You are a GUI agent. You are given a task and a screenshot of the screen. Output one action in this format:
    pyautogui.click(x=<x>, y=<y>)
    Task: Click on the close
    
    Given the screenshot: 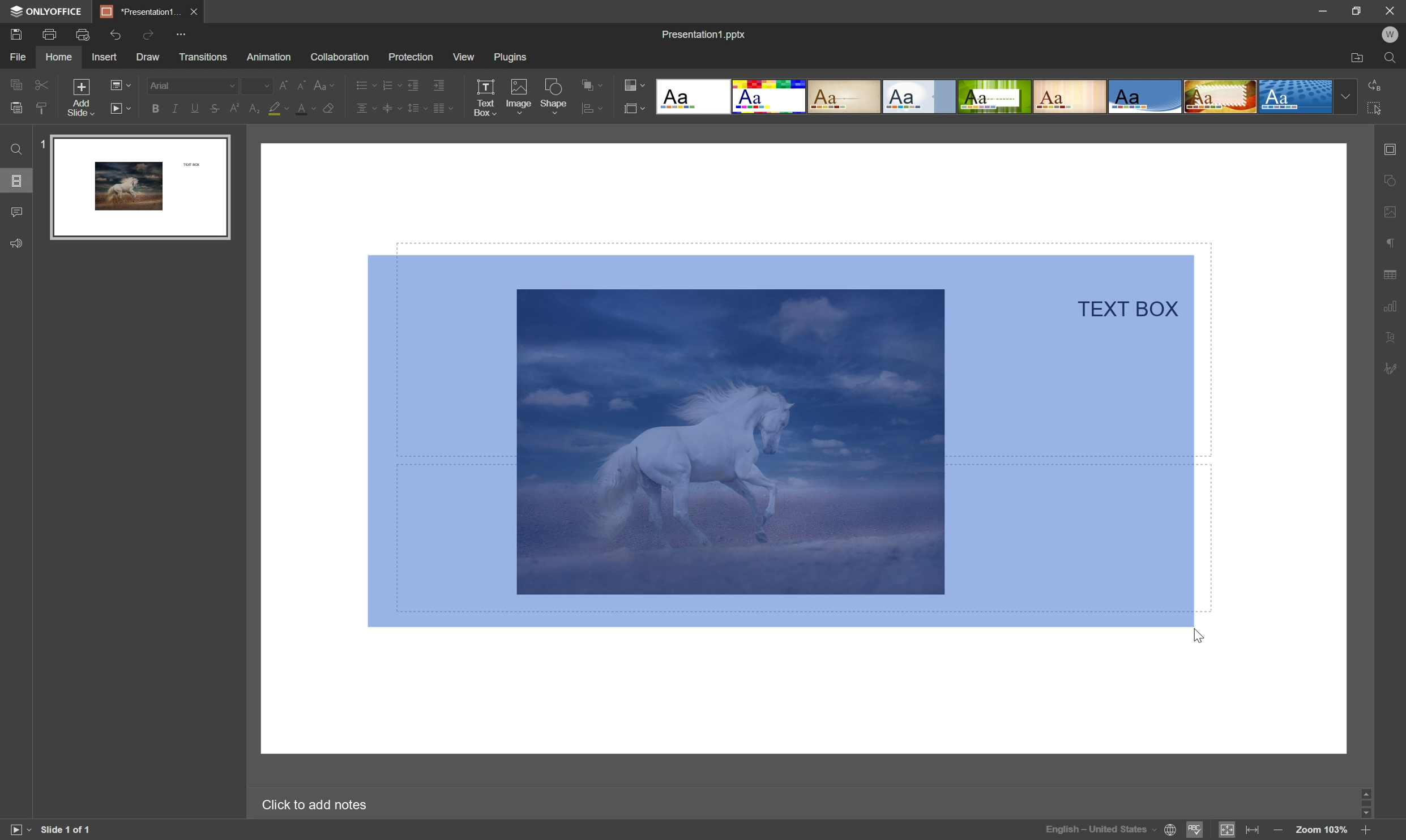 What is the action you would take?
    pyautogui.click(x=195, y=11)
    